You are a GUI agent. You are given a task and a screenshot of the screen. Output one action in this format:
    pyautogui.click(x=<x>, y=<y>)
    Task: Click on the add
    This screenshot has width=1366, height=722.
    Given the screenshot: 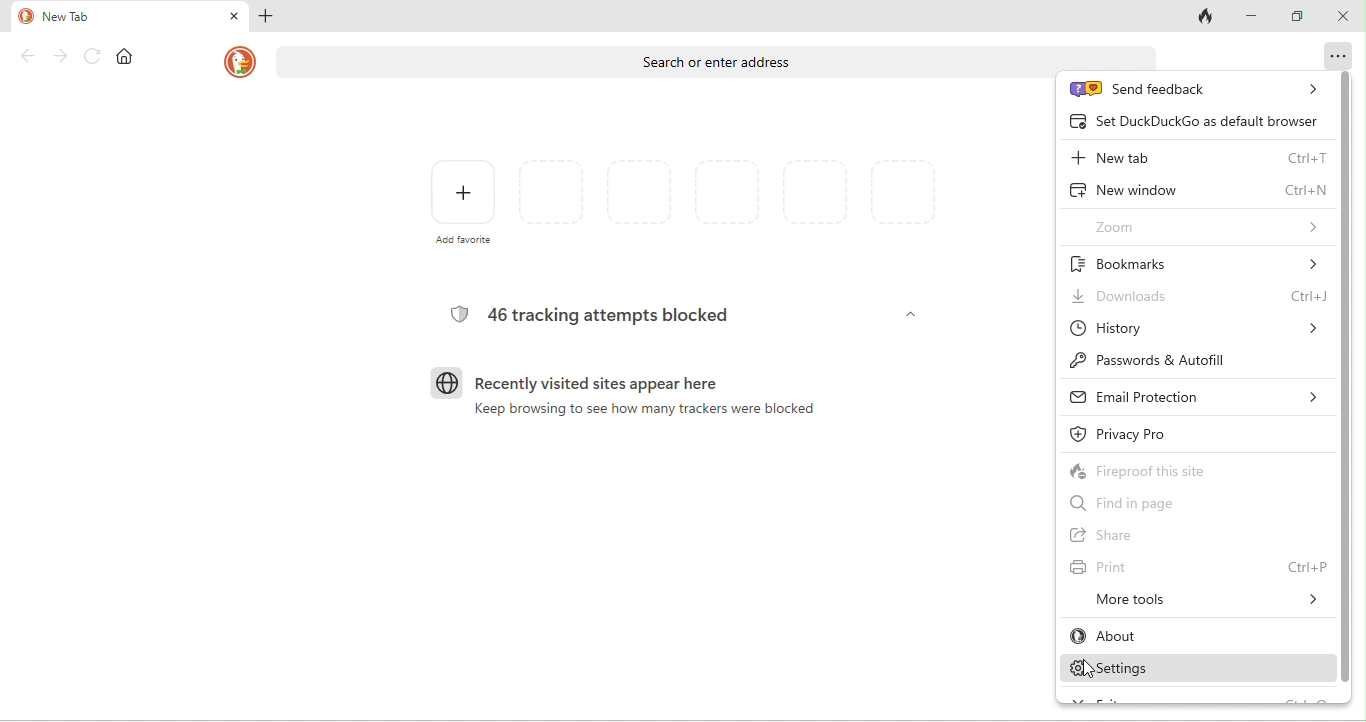 What is the action you would take?
    pyautogui.click(x=273, y=17)
    